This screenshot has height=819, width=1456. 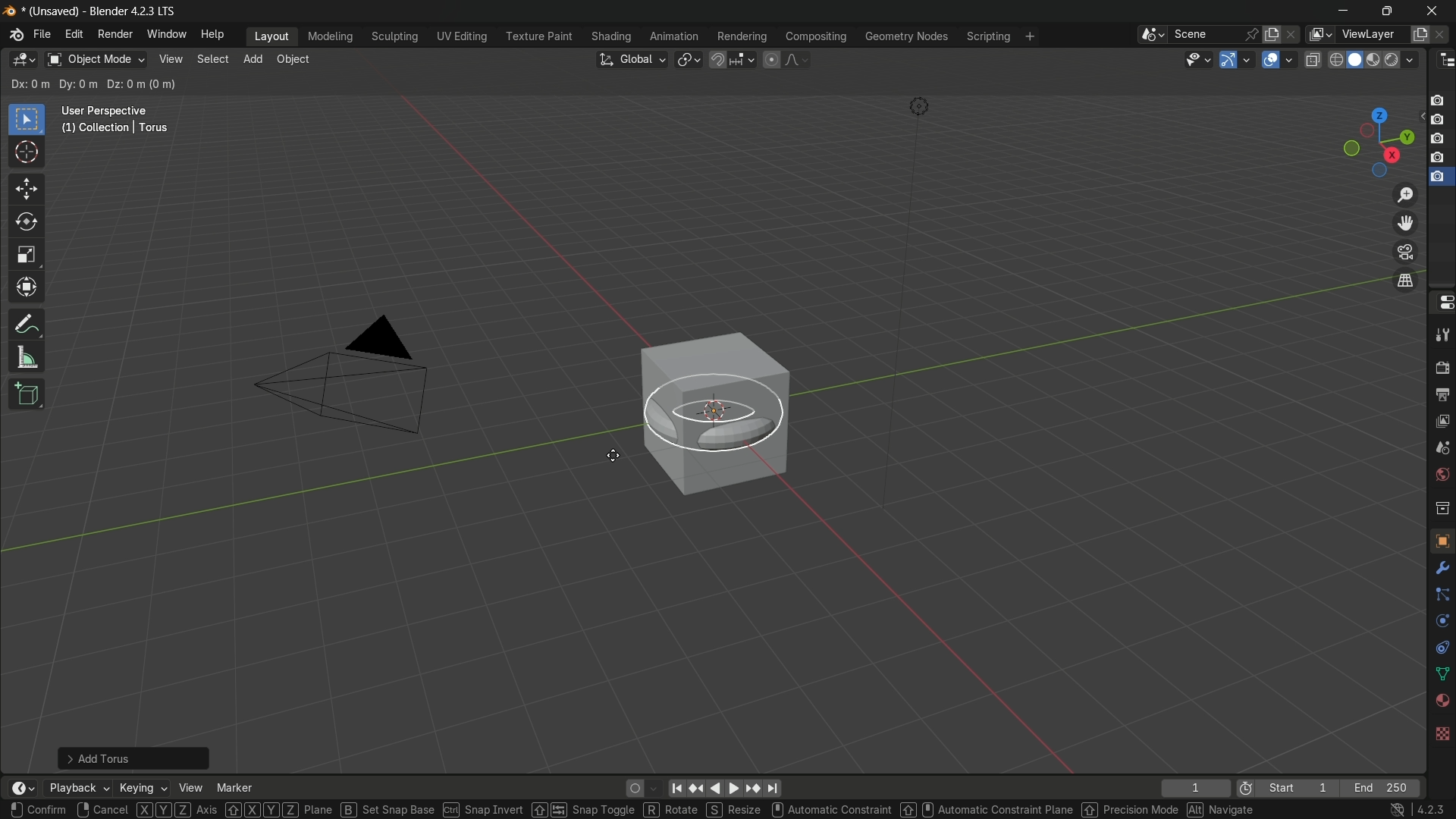 I want to click on zoom in/out, so click(x=1405, y=194).